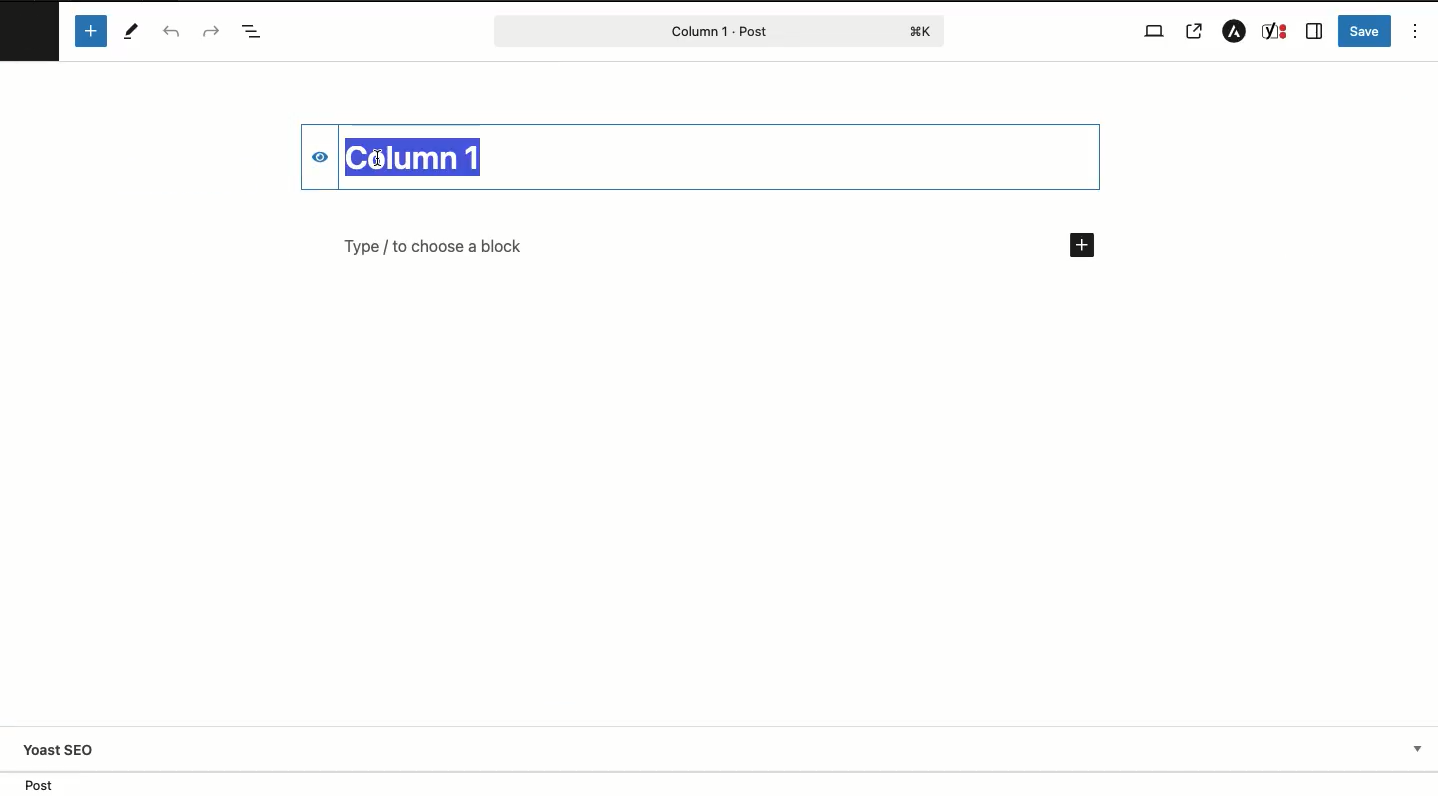  Describe the element at coordinates (252, 33) in the screenshot. I see `Document overview` at that location.